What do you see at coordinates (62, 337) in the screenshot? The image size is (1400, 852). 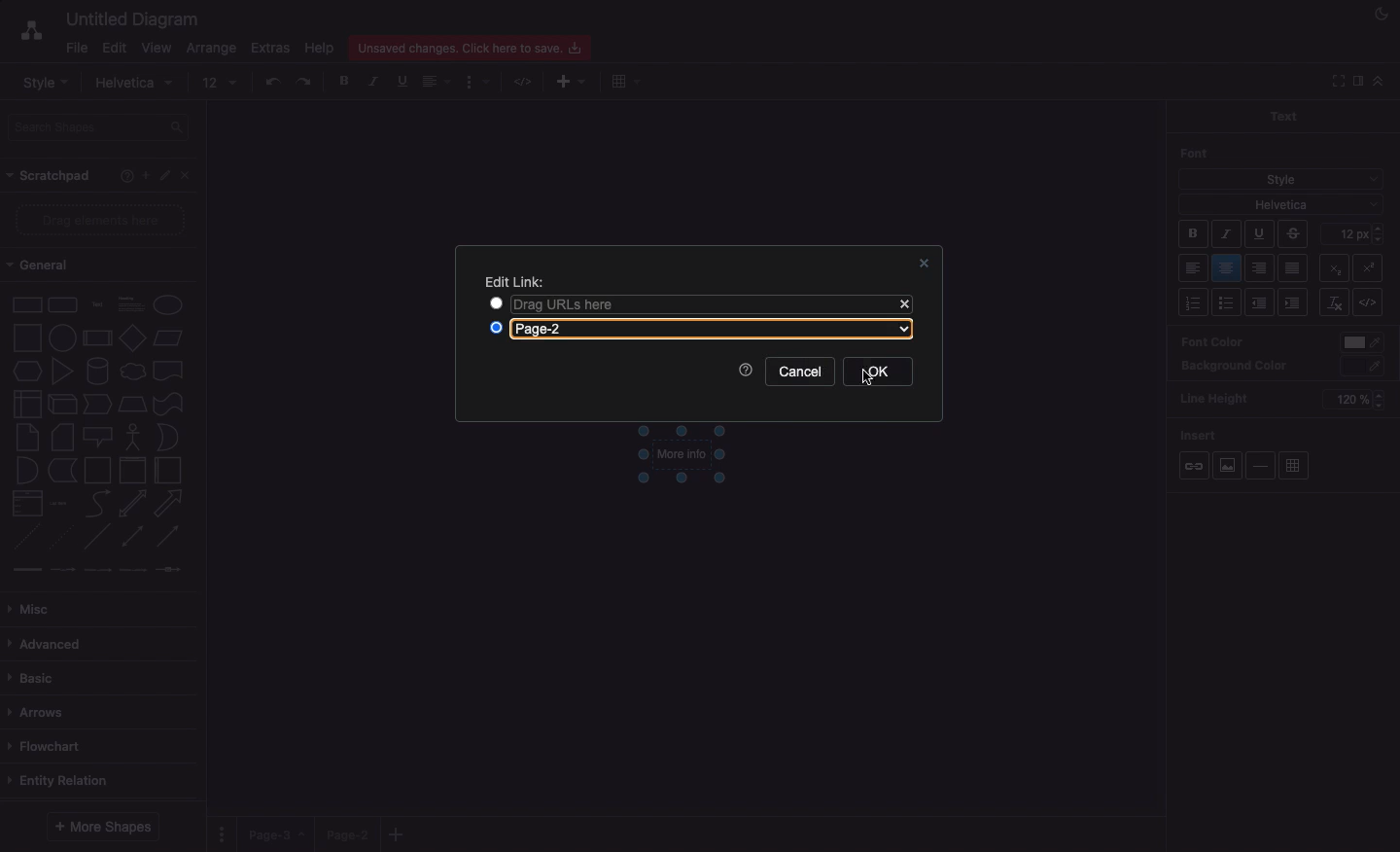 I see `circle` at bounding box center [62, 337].